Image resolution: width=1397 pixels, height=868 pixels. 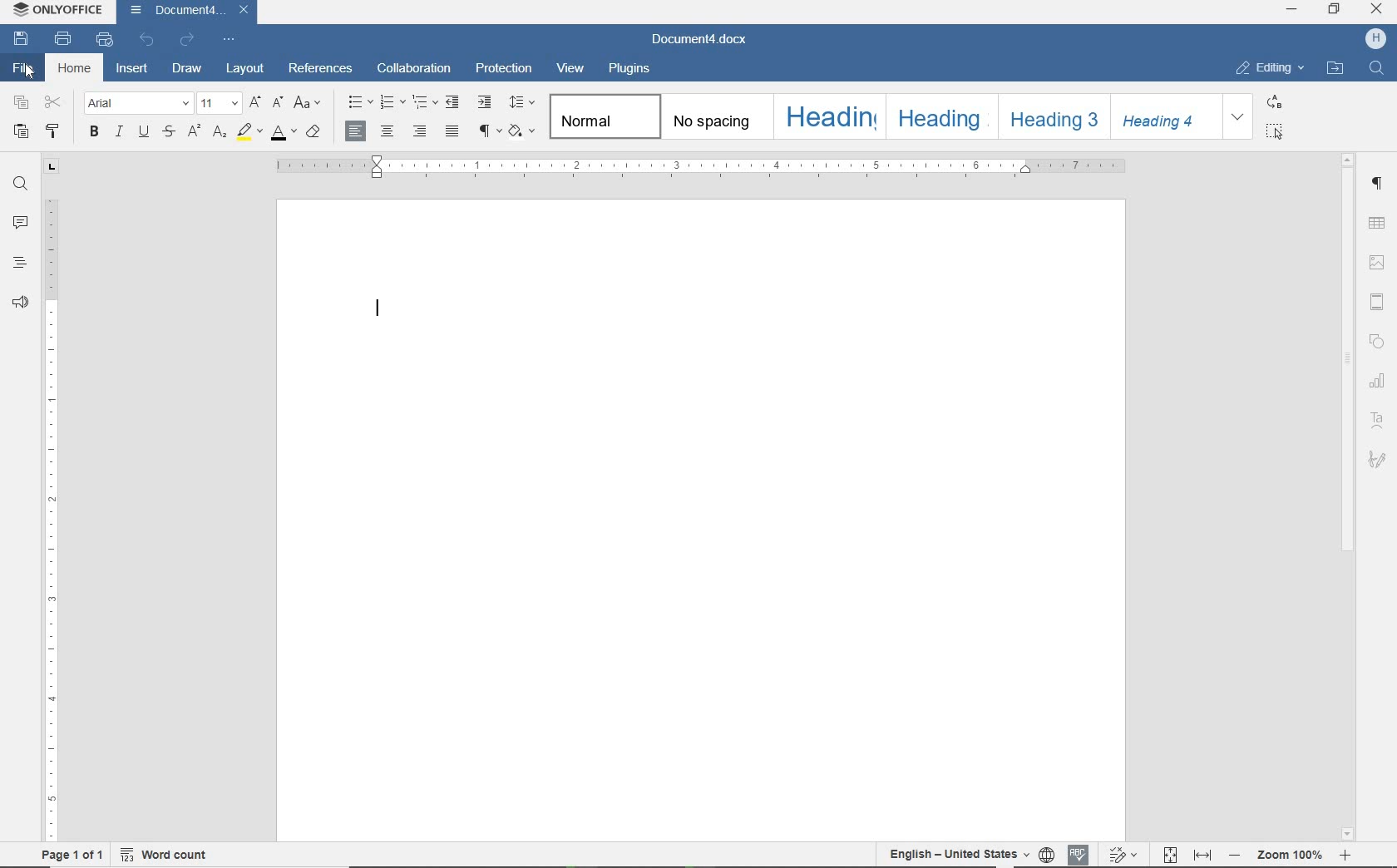 I want to click on comments, so click(x=21, y=224).